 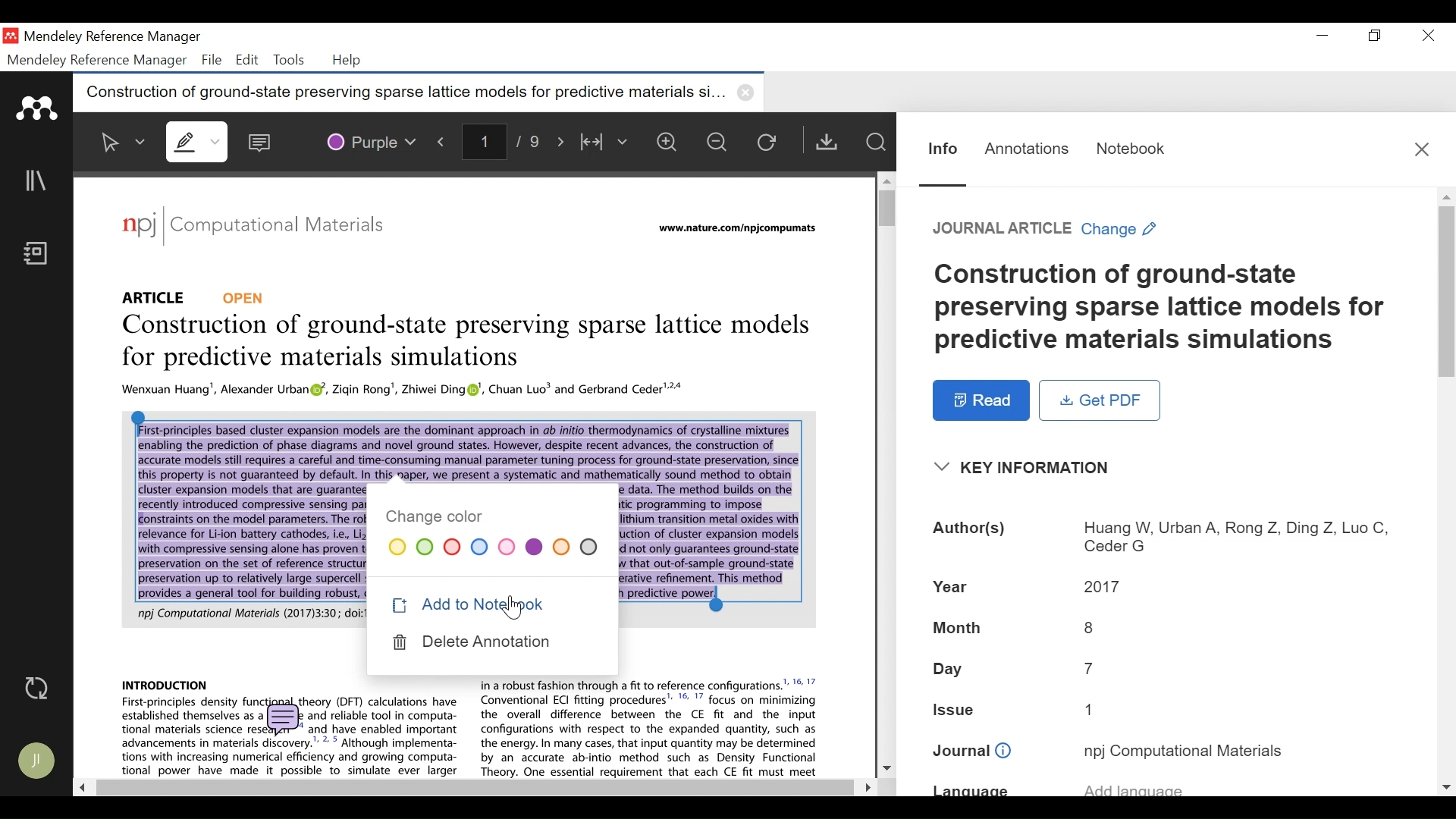 I want to click on Select, so click(x=124, y=142).